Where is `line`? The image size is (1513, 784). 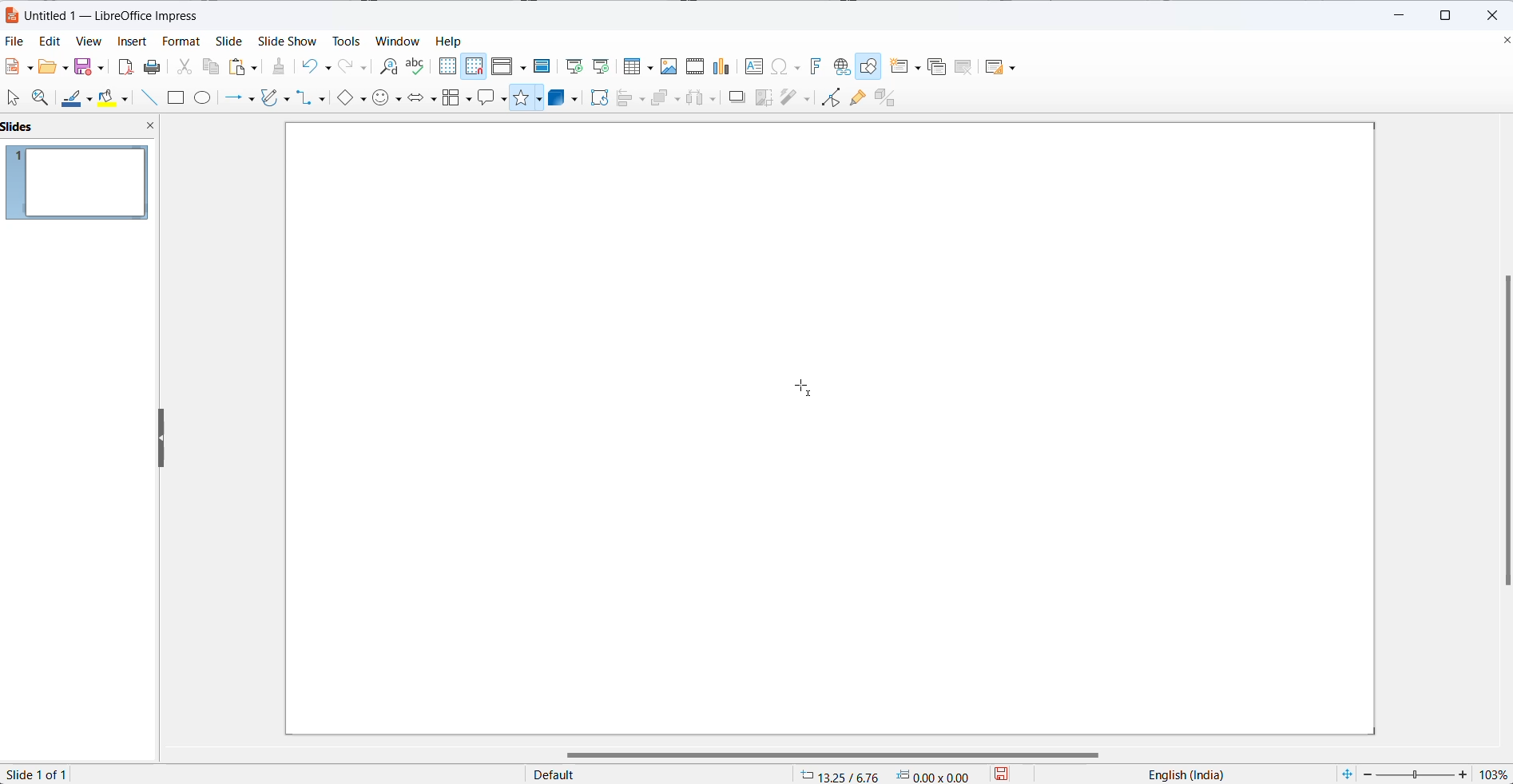 line is located at coordinates (153, 97).